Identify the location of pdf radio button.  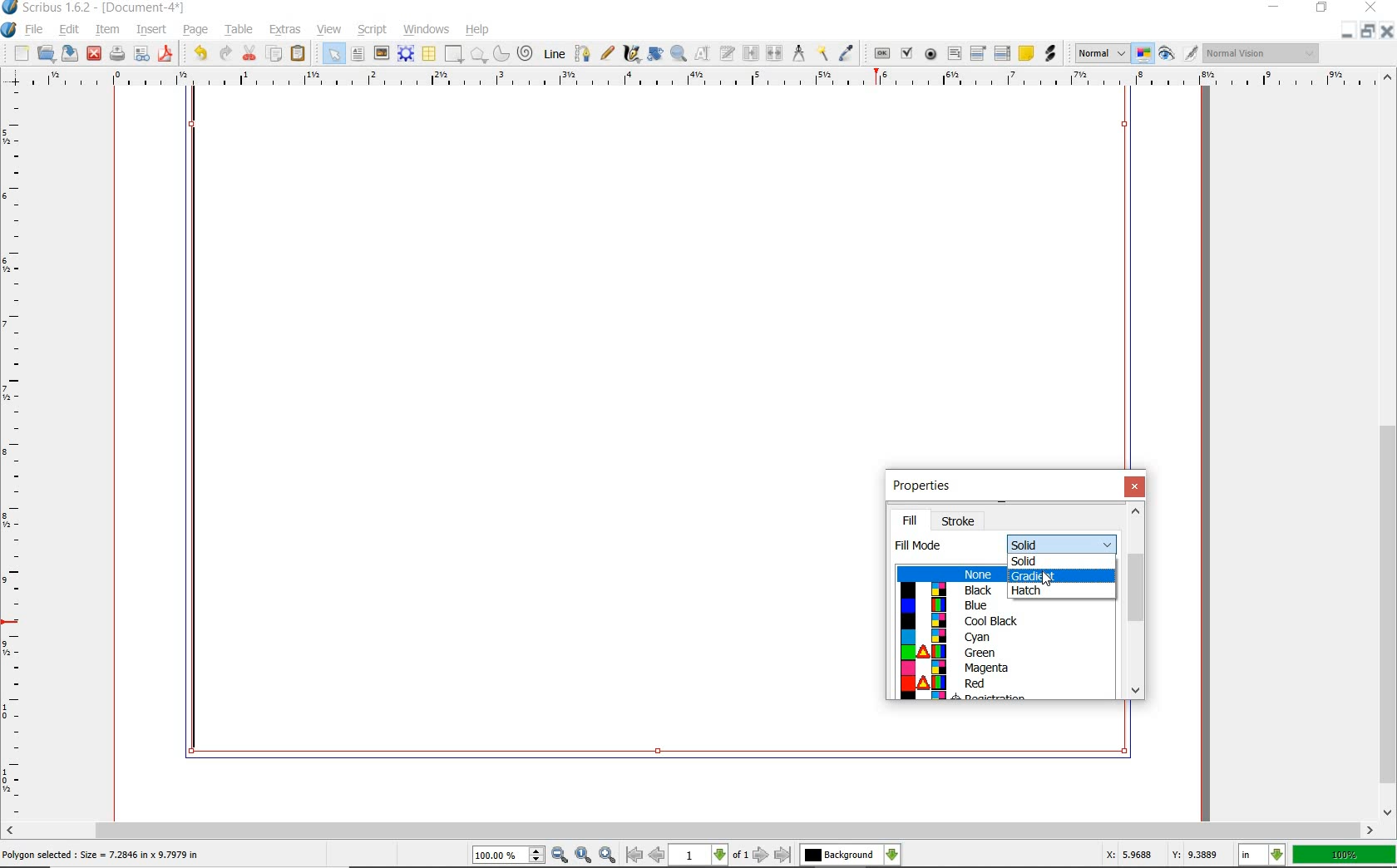
(929, 55).